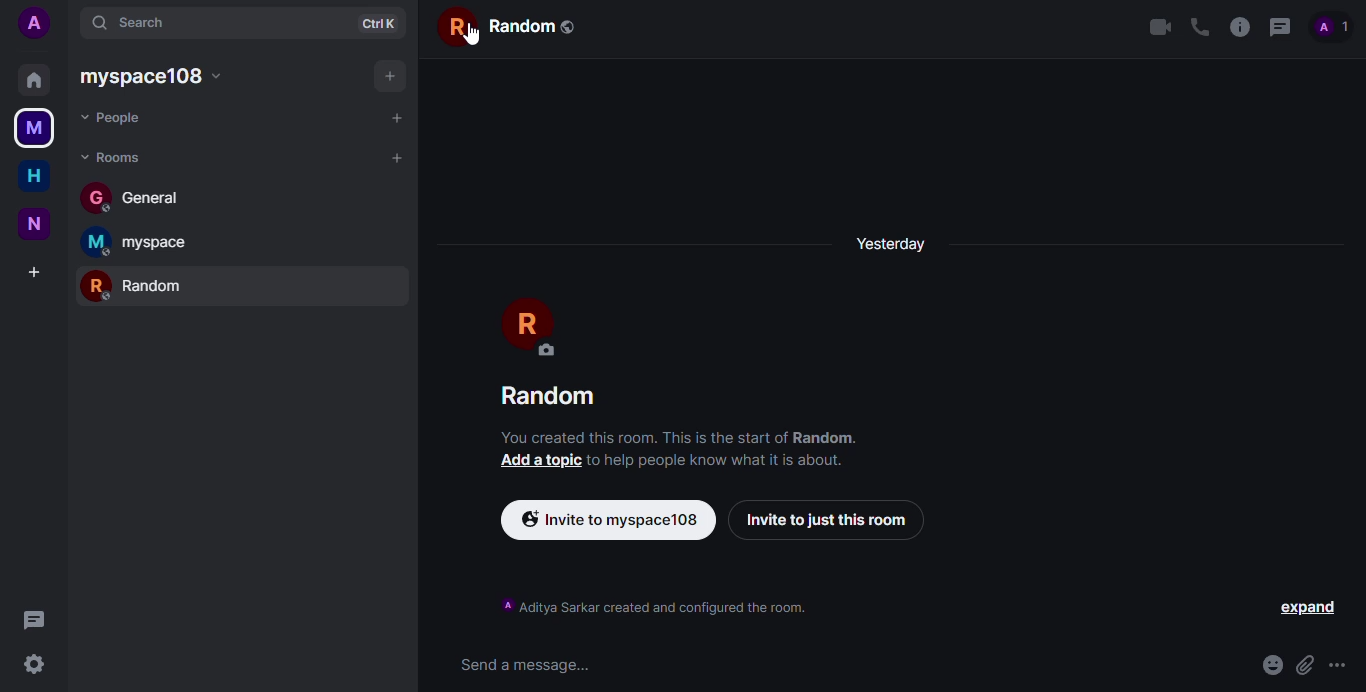  What do you see at coordinates (140, 283) in the screenshot?
I see `random` at bounding box center [140, 283].